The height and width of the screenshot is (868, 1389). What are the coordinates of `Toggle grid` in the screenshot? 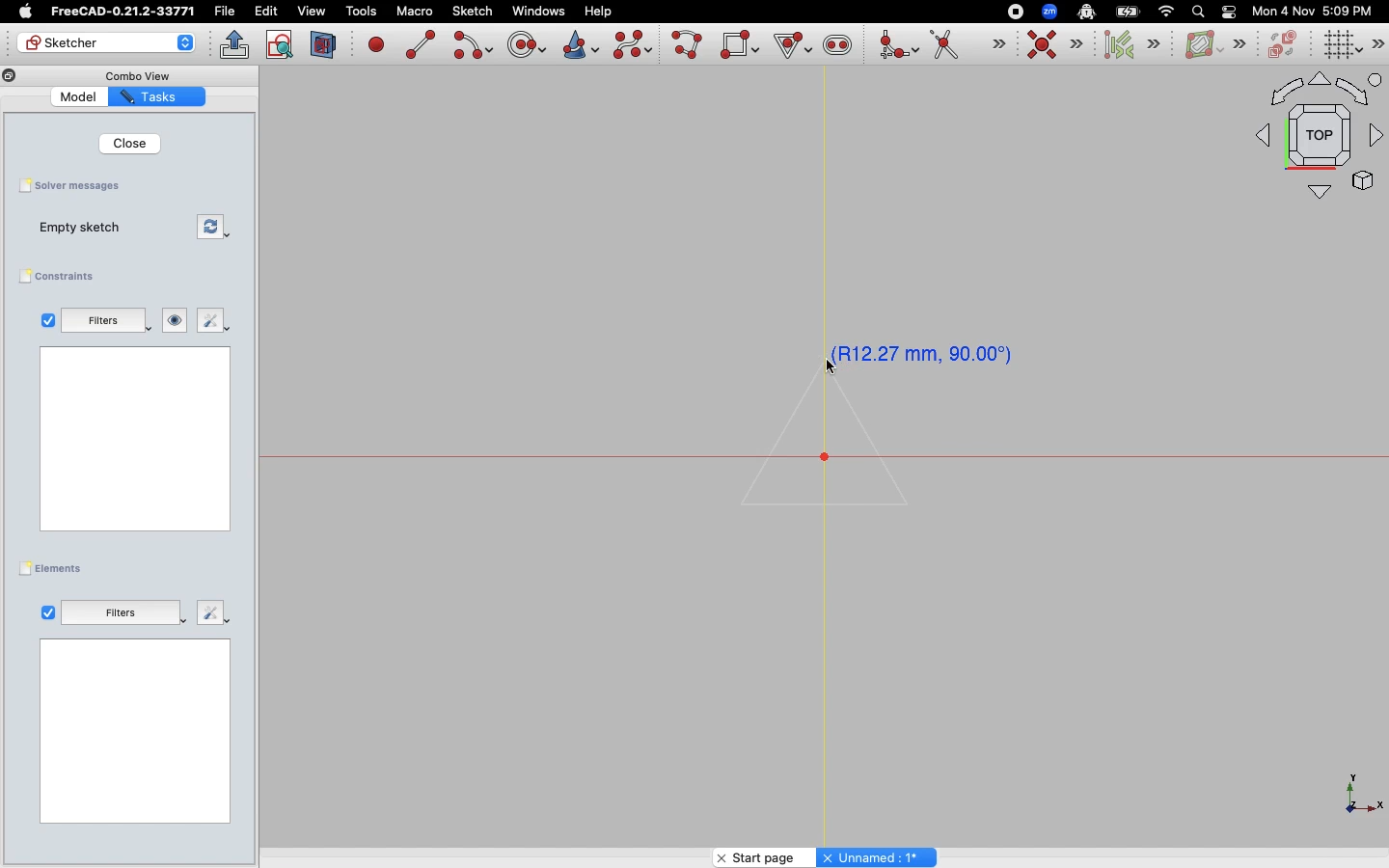 It's located at (1343, 44).